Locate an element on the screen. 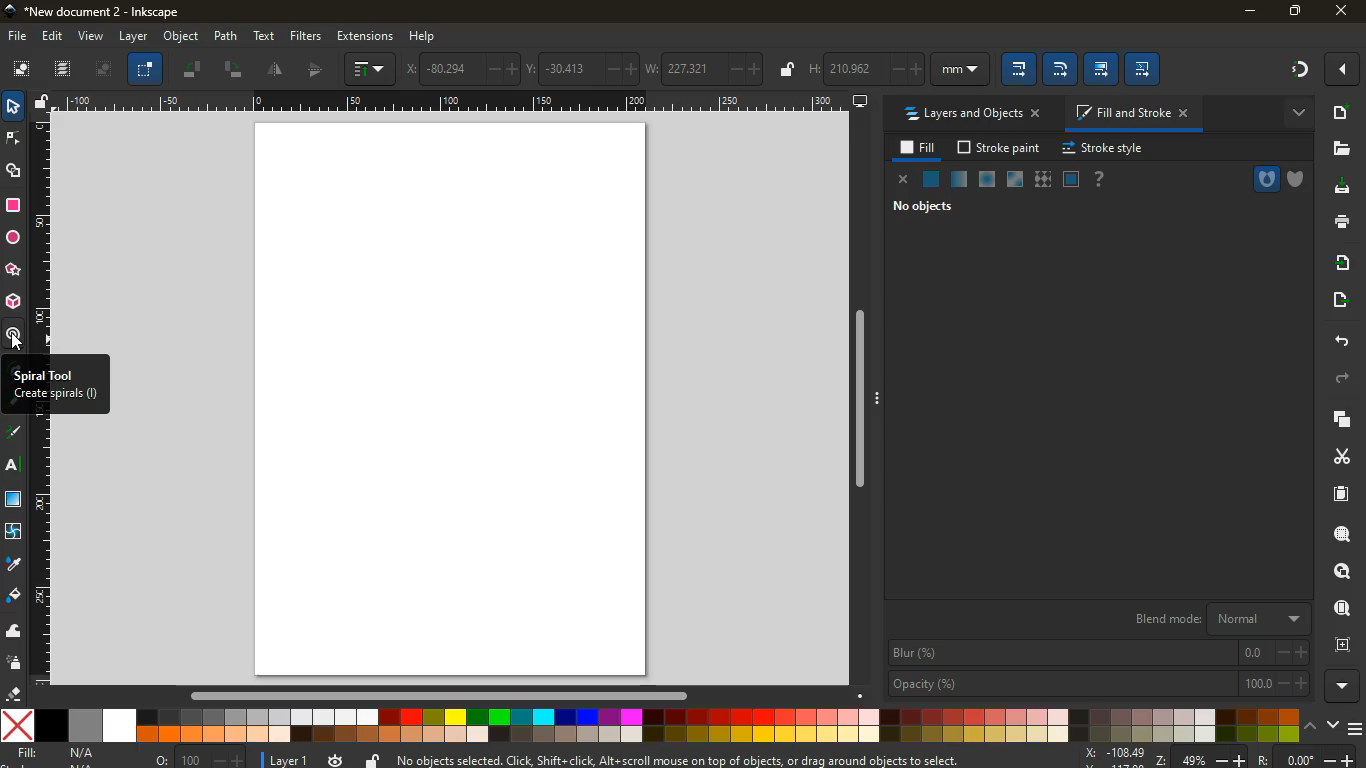  image is located at coordinates (21, 68).